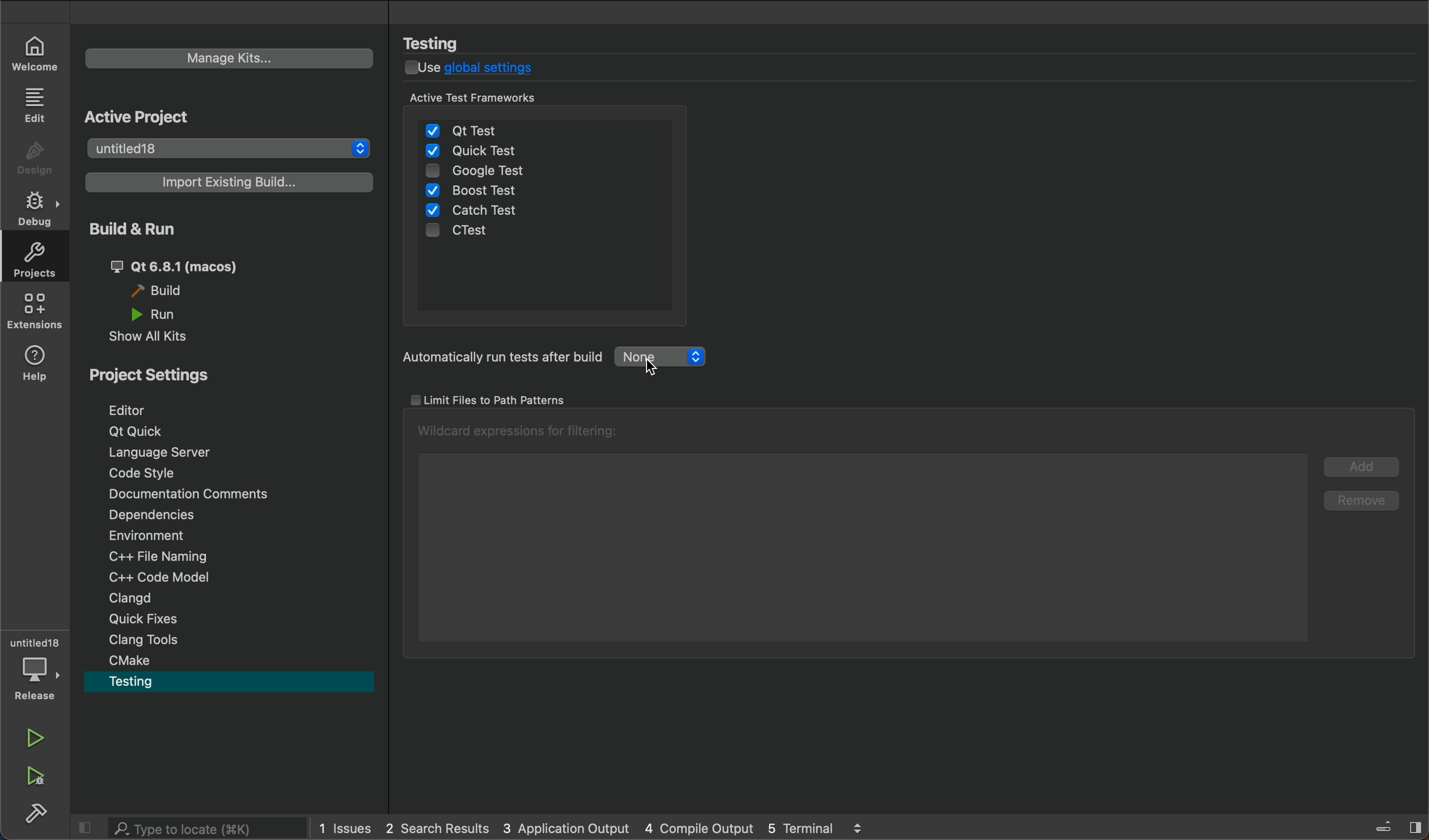  What do you see at coordinates (151, 475) in the screenshot?
I see `code style` at bounding box center [151, 475].